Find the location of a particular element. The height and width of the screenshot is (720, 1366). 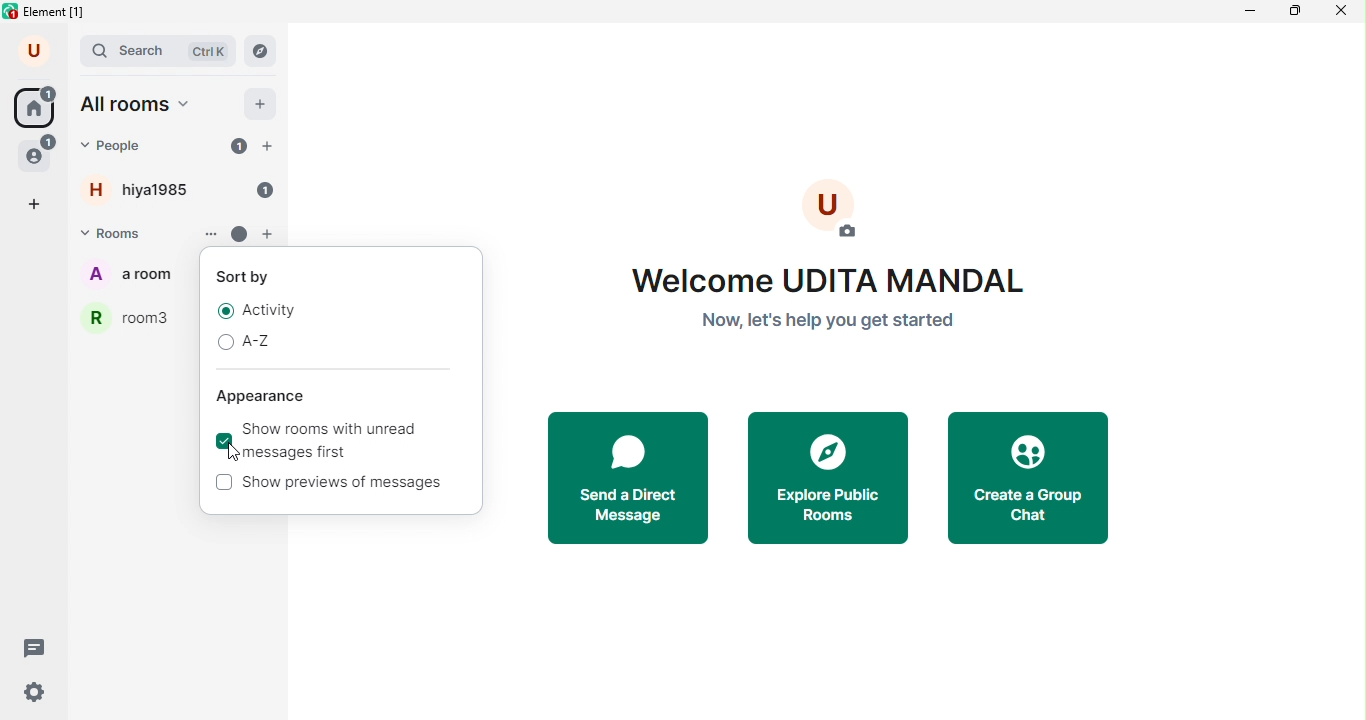

sort by is located at coordinates (249, 278).